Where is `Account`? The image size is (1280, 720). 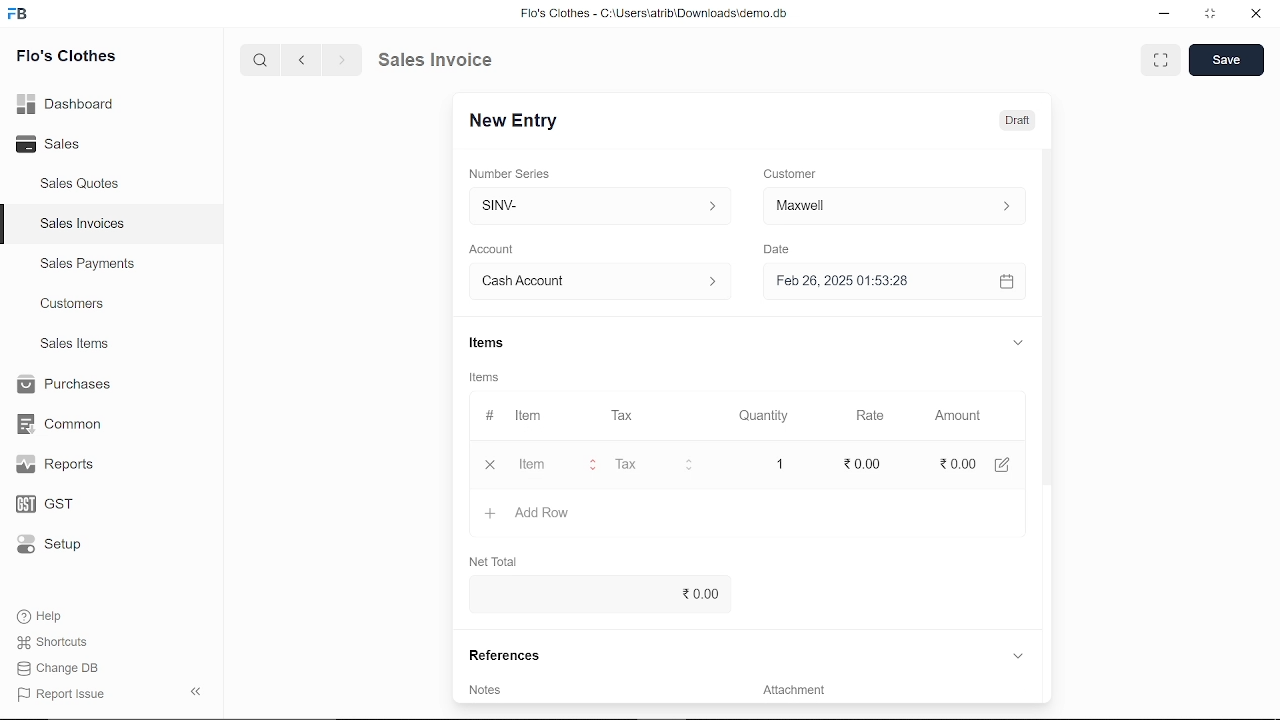
Account is located at coordinates (497, 250).